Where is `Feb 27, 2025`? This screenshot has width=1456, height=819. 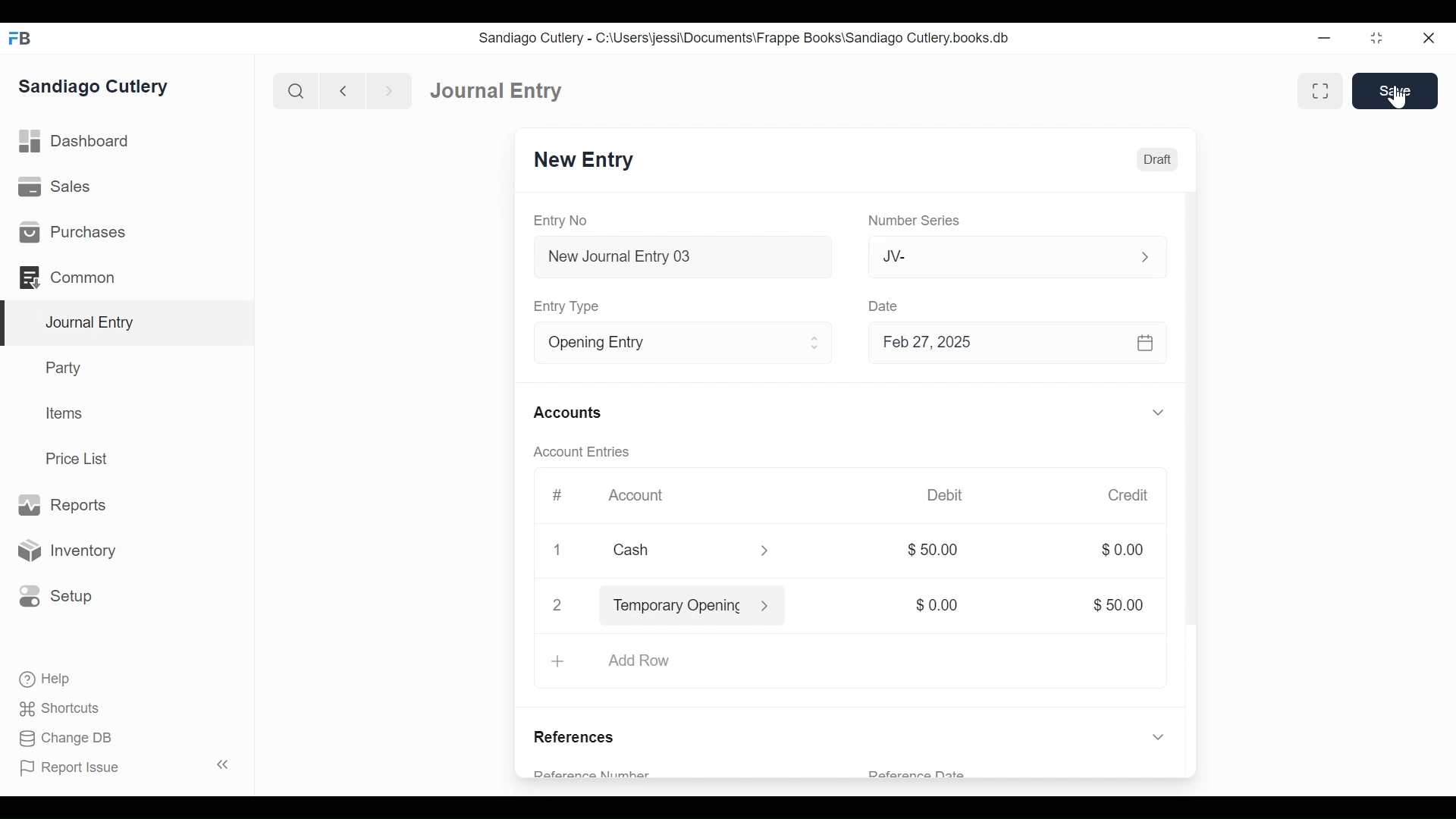 Feb 27, 2025 is located at coordinates (1015, 344).